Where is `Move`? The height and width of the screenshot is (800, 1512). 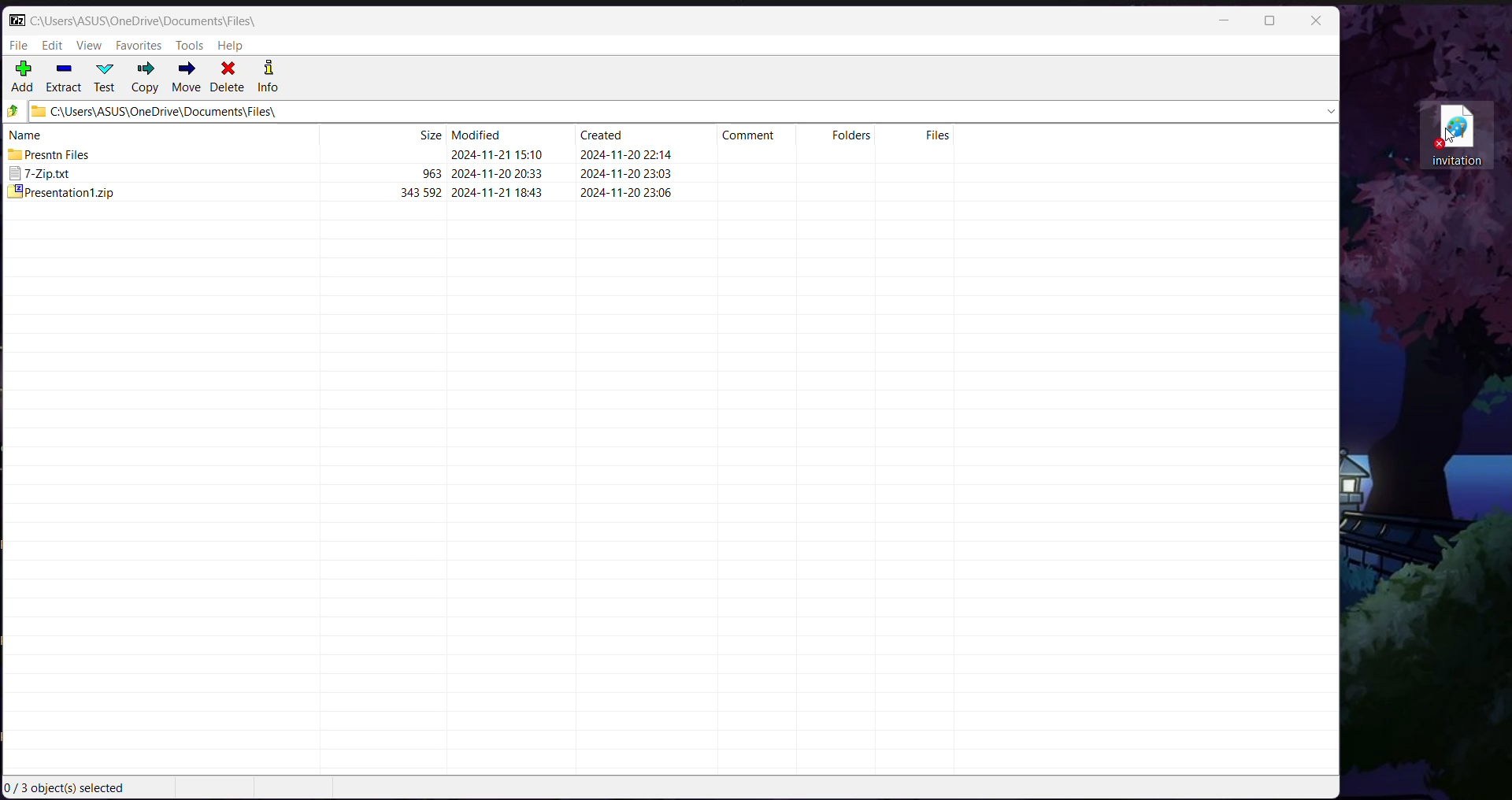
Move is located at coordinates (185, 77).